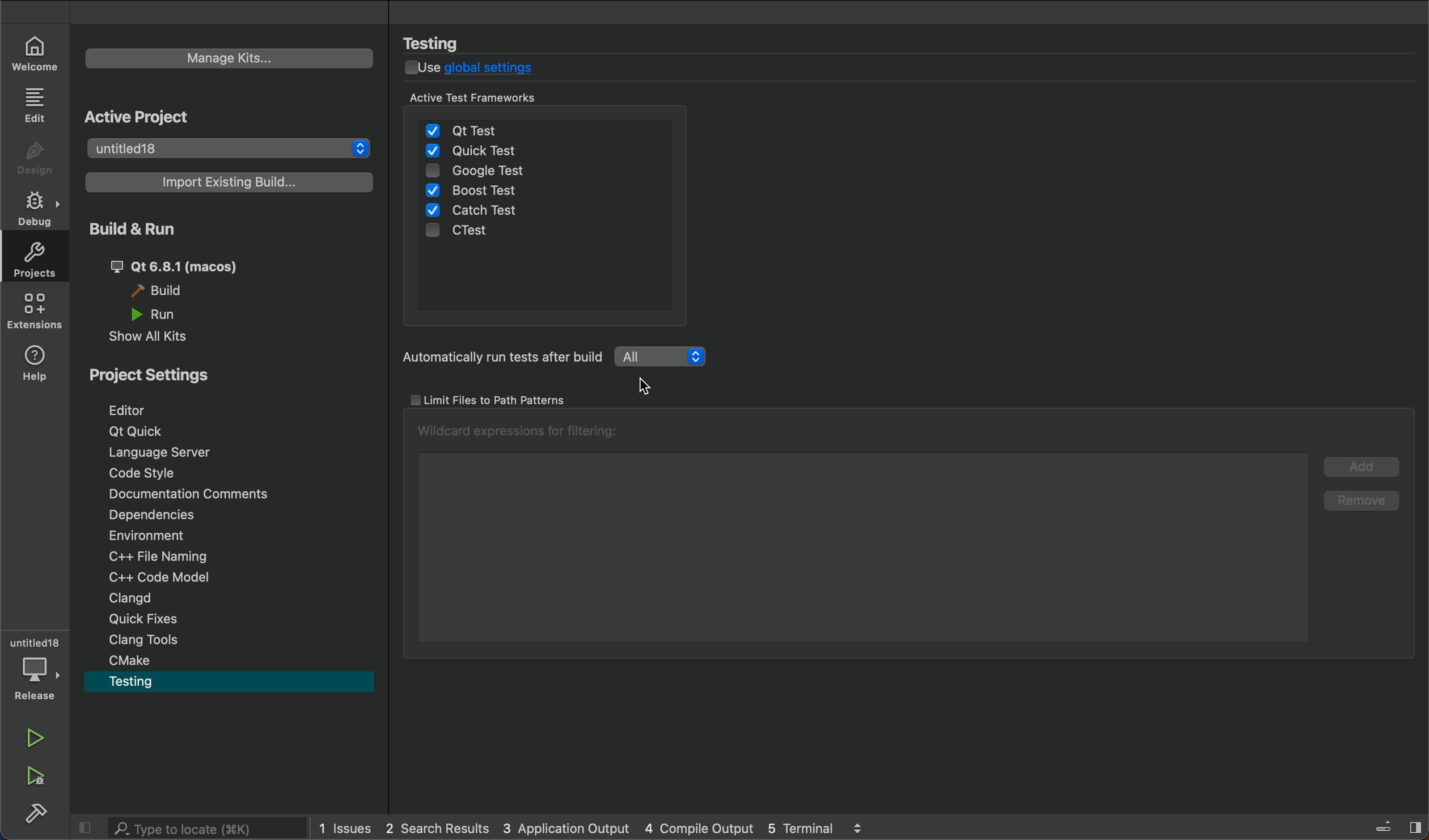 This screenshot has height=840, width=1429. I want to click on quick fixes, so click(153, 619).